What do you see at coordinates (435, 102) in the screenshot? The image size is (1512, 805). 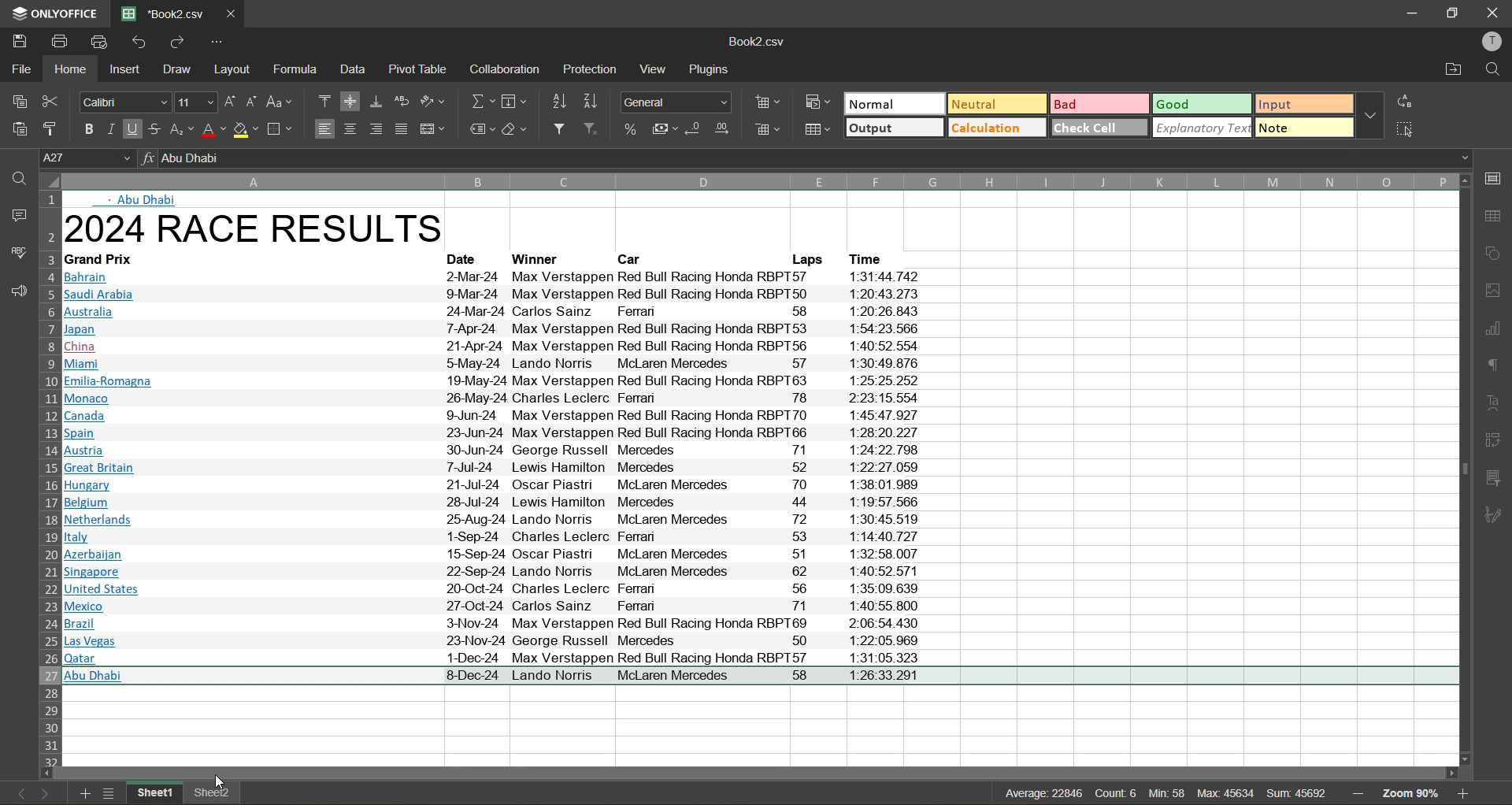 I see `orientation` at bounding box center [435, 102].